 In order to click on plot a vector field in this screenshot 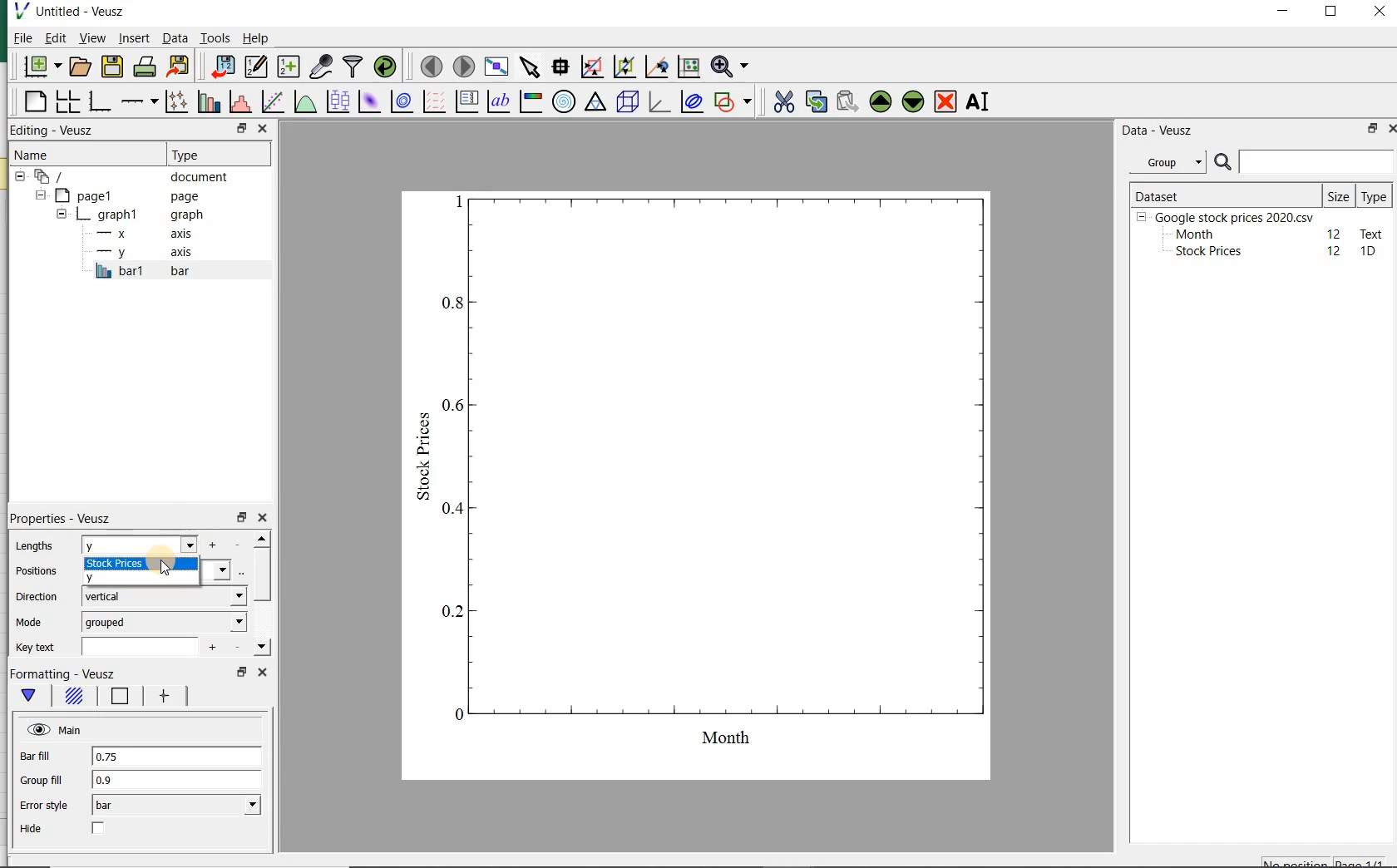, I will do `click(432, 103)`.